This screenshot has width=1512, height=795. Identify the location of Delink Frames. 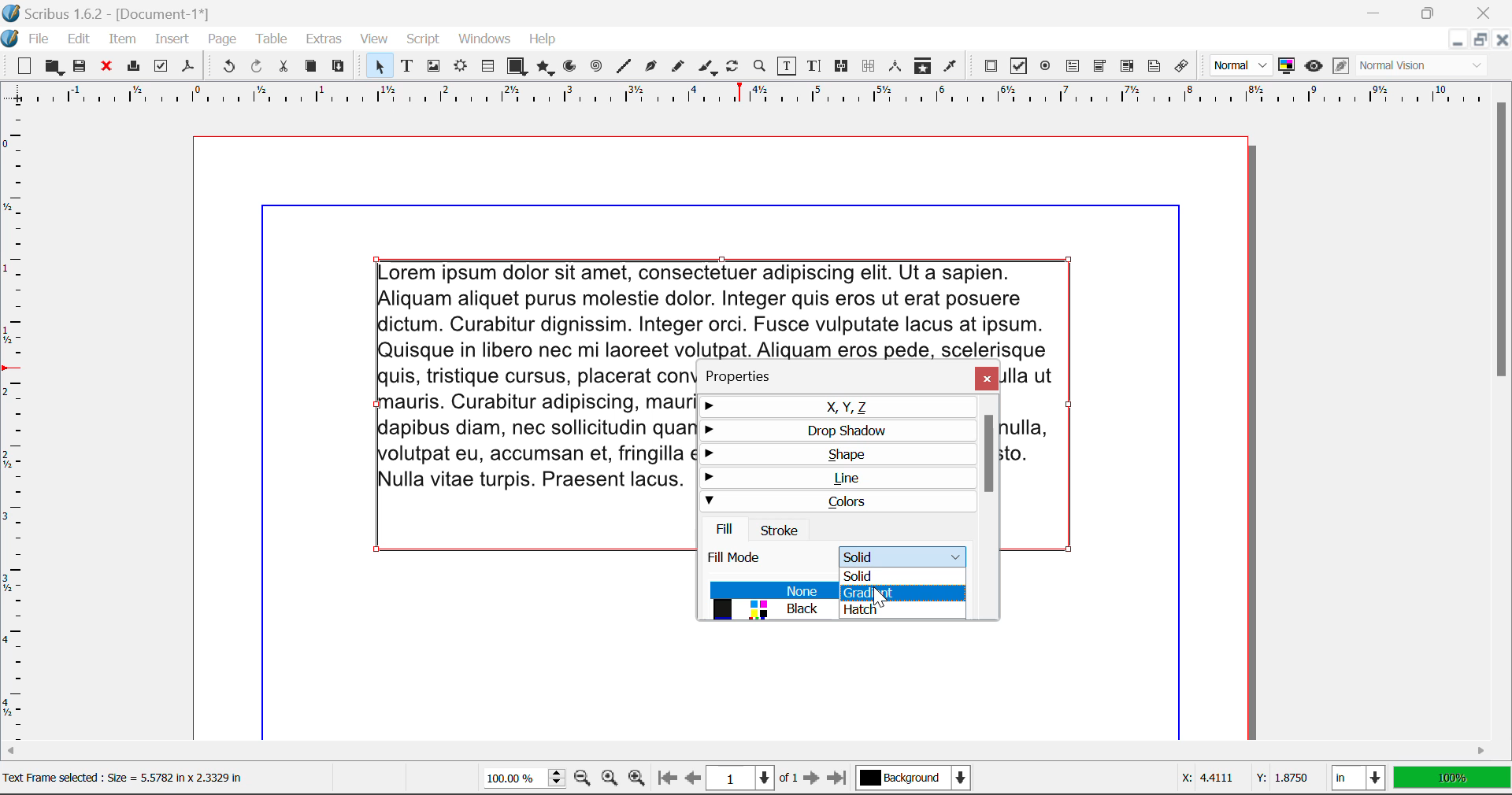
(869, 66).